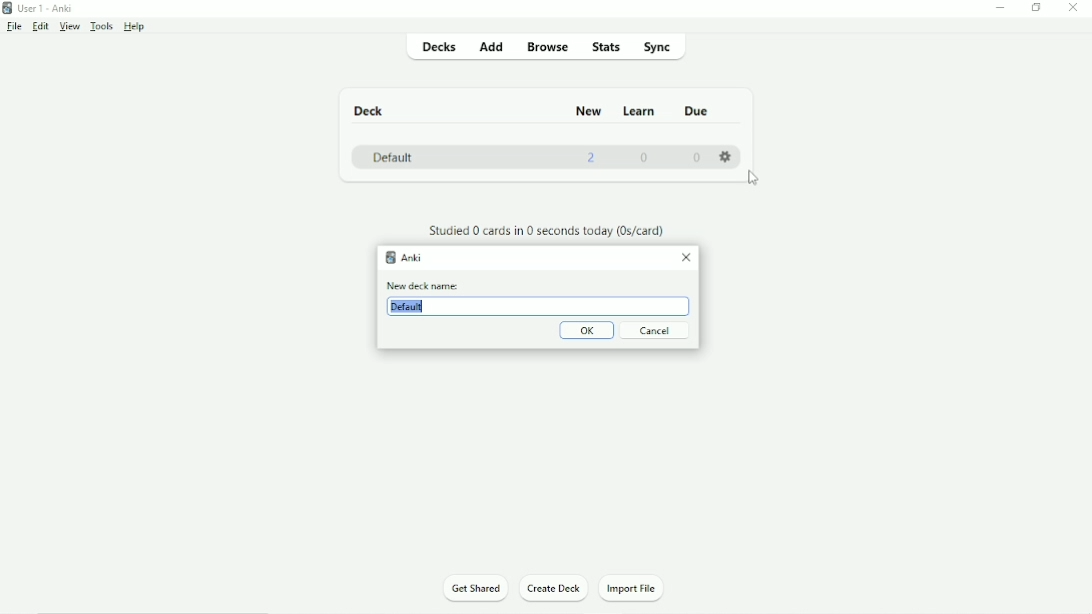 The width and height of the screenshot is (1092, 614). Describe the element at coordinates (1001, 8) in the screenshot. I see `Minimize` at that location.